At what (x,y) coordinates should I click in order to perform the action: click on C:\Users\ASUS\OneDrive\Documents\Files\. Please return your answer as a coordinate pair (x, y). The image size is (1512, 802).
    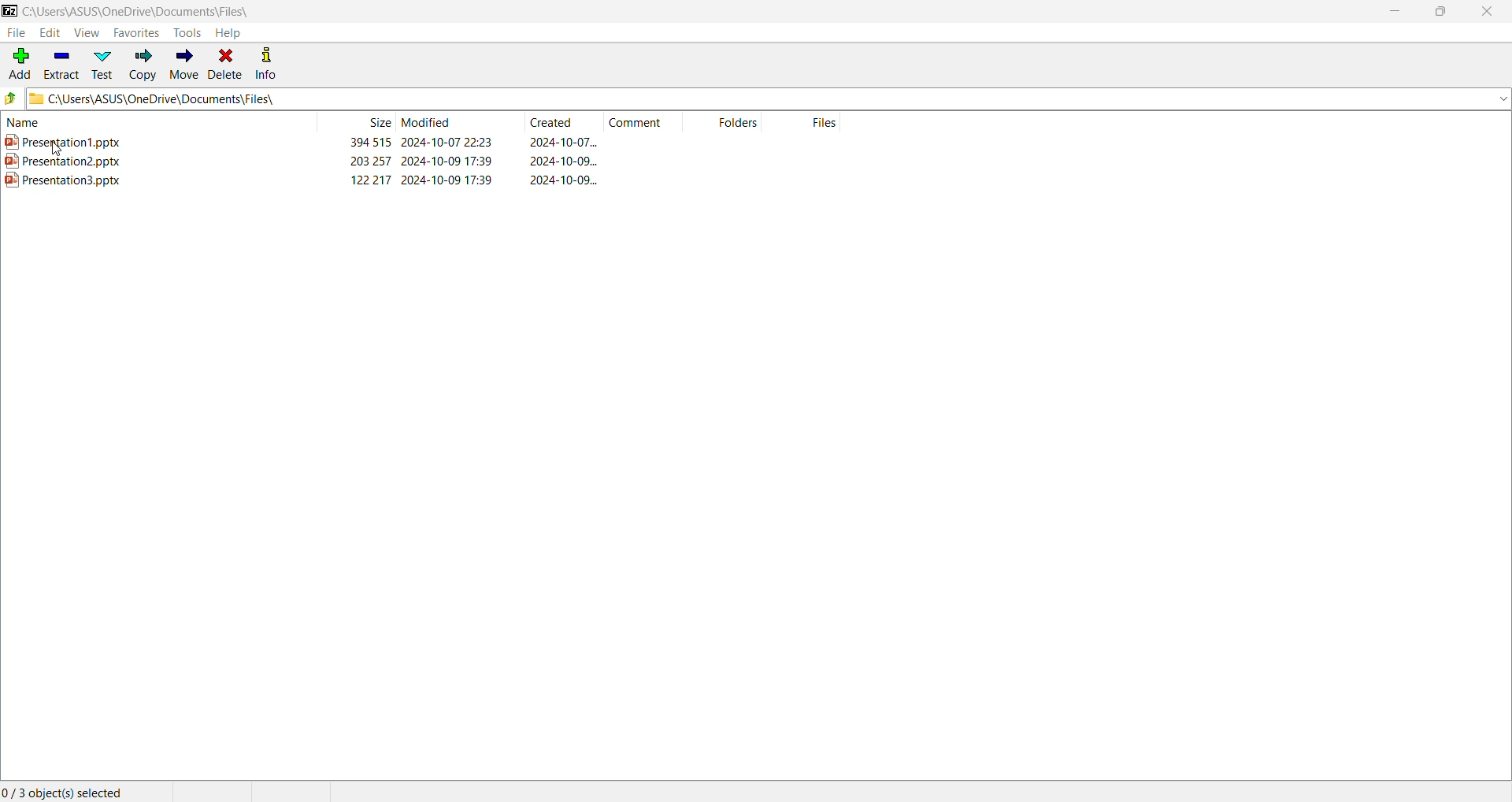
    Looking at the image, I should click on (150, 12).